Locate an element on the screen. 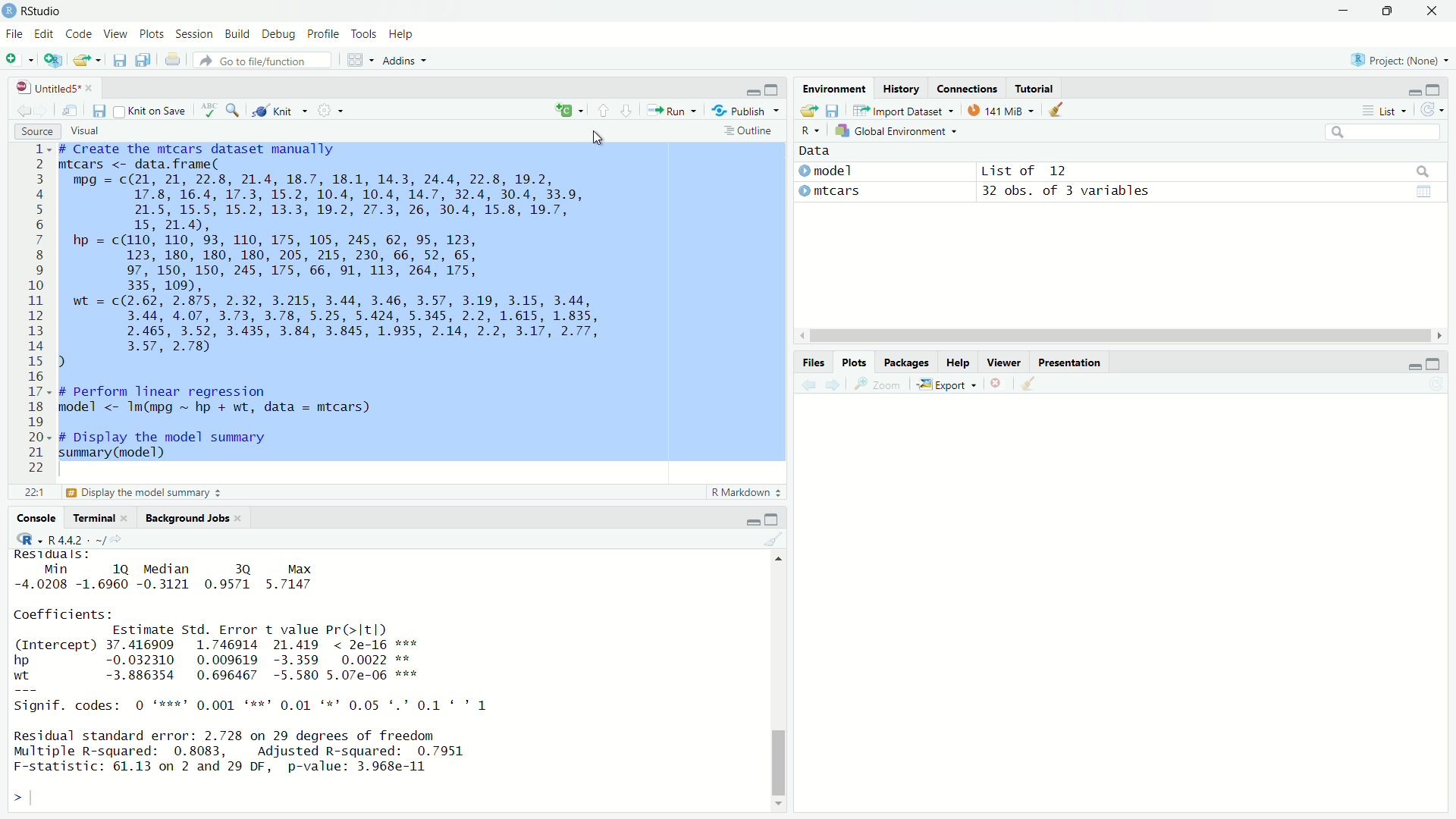 The height and width of the screenshot is (819, 1456). Terminal is located at coordinates (96, 519).